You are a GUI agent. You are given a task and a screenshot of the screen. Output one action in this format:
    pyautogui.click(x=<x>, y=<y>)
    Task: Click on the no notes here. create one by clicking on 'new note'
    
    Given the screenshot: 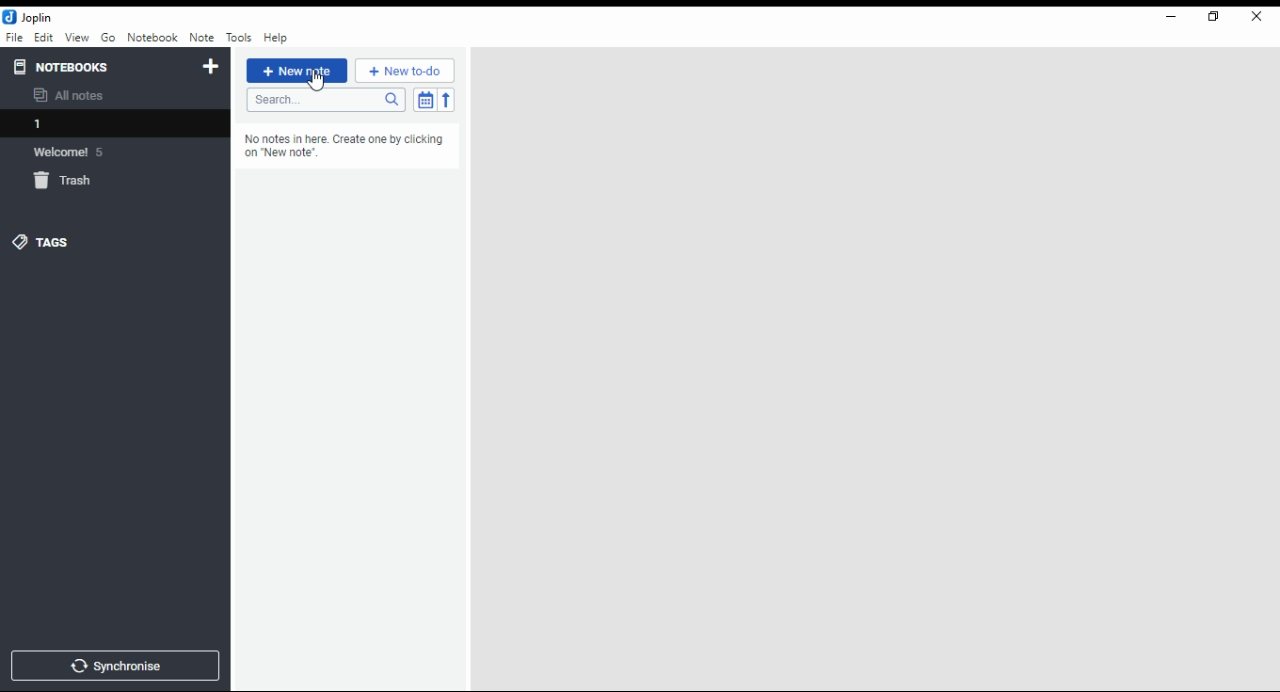 What is the action you would take?
    pyautogui.click(x=353, y=146)
    